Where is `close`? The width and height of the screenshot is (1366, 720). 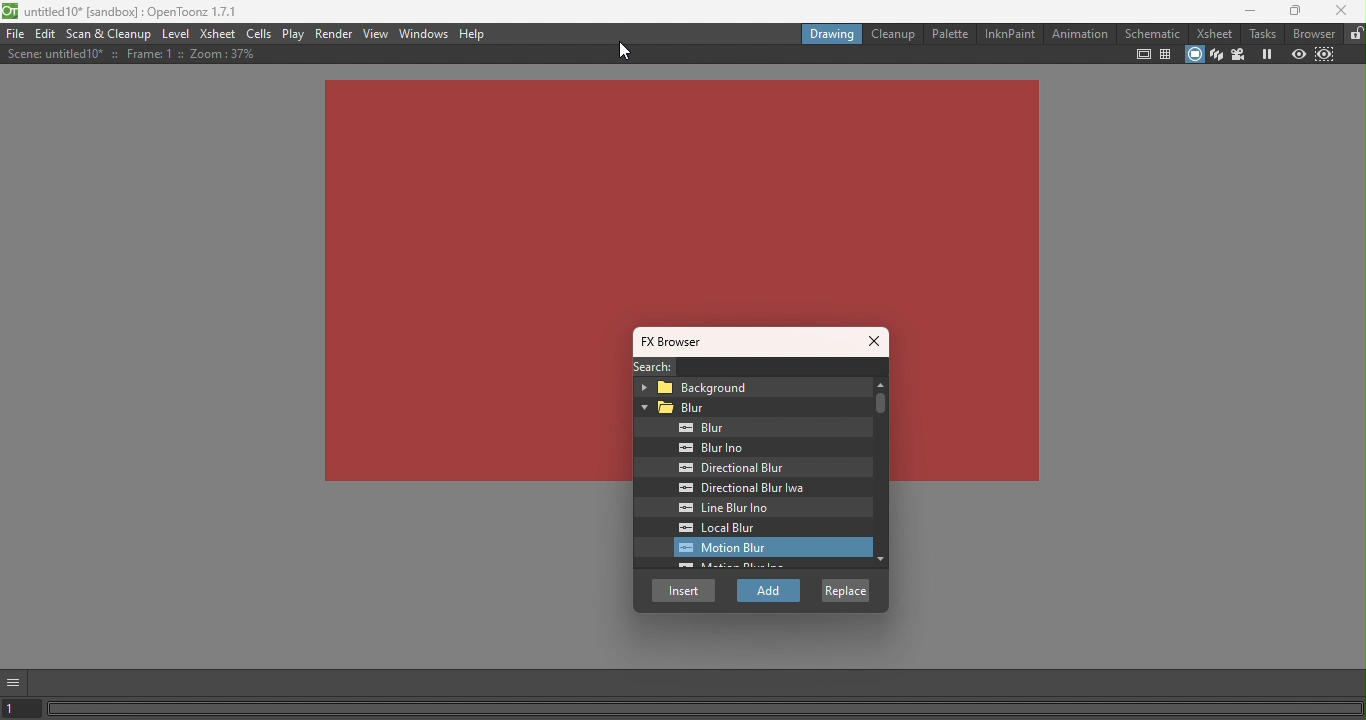
close is located at coordinates (1342, 9).